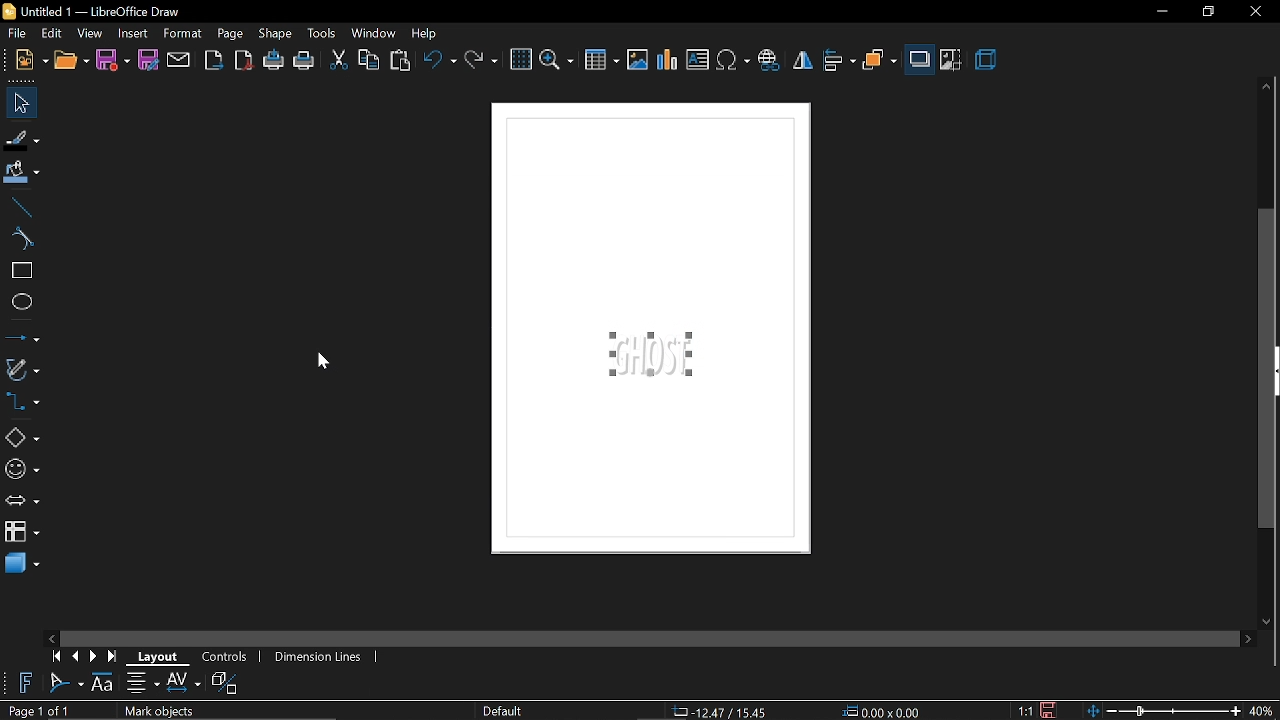  What do you see at coordinates (22, 337) in the screenshot?
I see `lines and arrow` at bounding box center [22, 337].